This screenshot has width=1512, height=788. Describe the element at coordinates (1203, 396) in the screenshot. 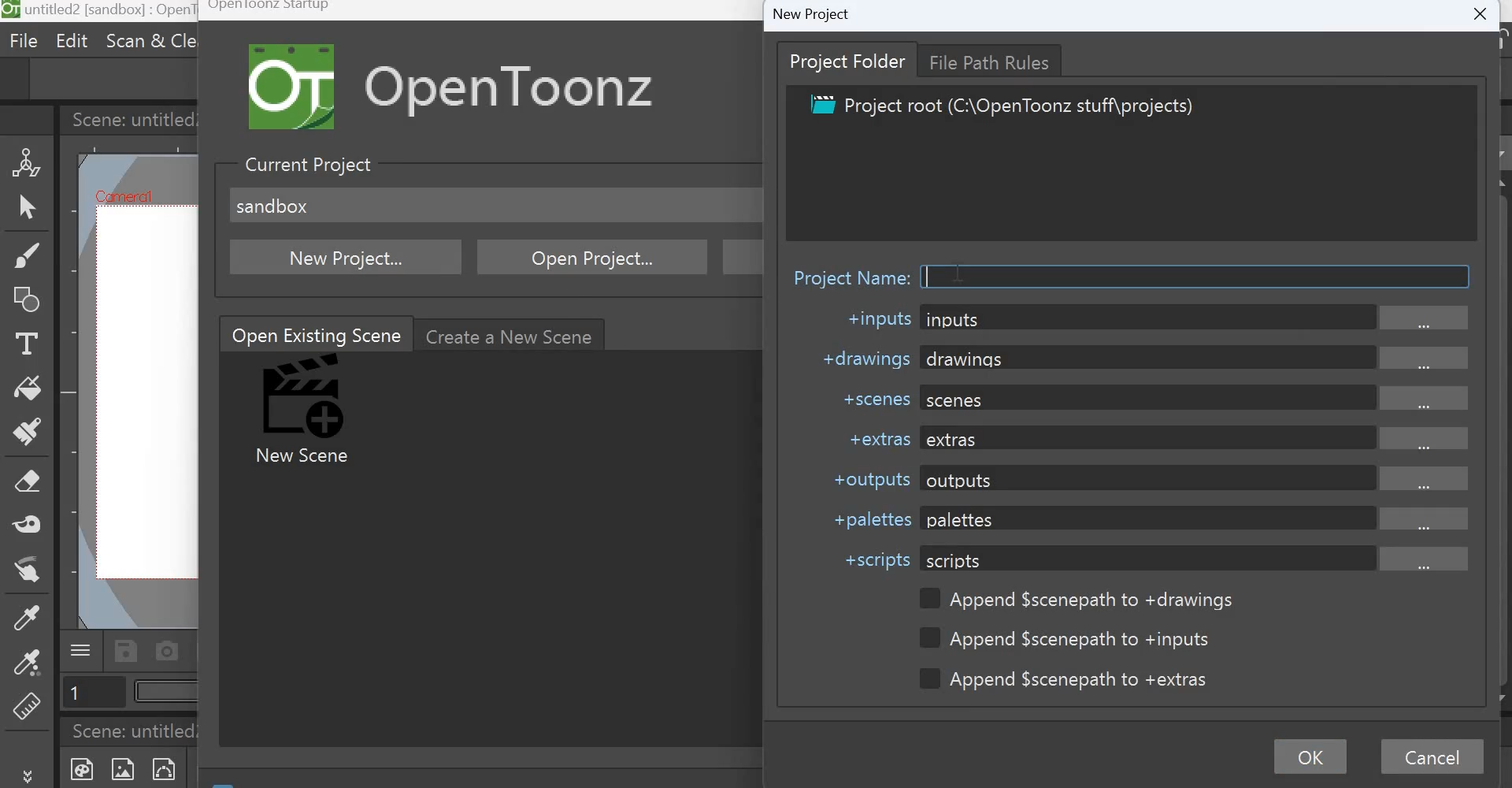

I see `scenes` at that location.